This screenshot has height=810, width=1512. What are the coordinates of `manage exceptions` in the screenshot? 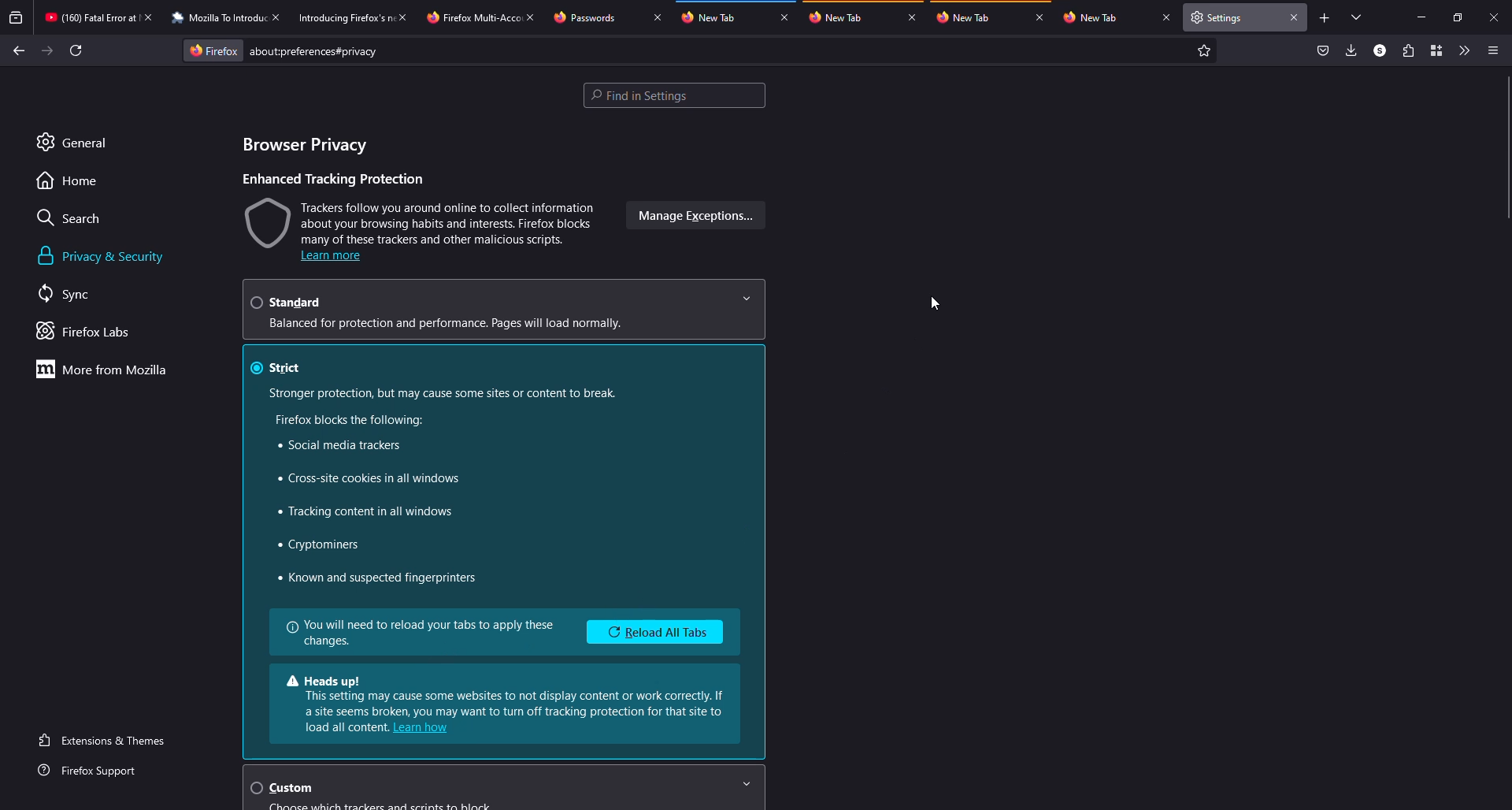 It's located at (693, 215).